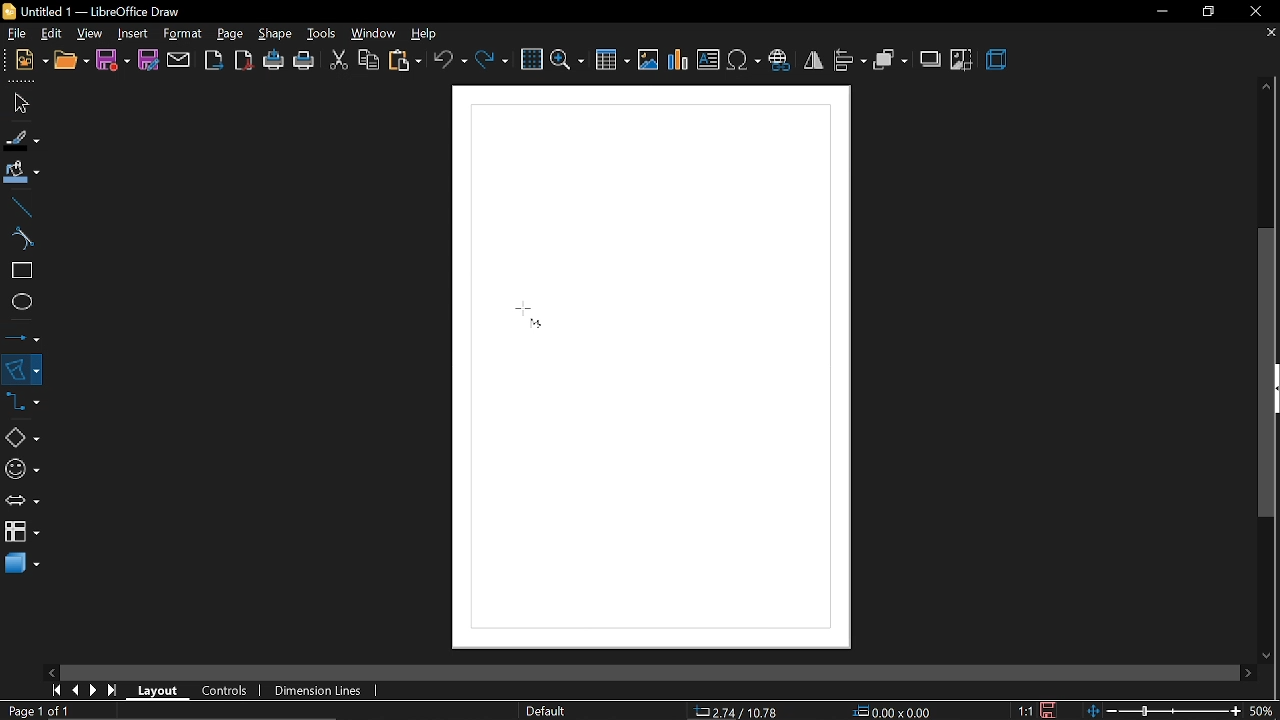 The height and width of the screenshot is (720, 1280). I want to click on copy, so click(366, 60).